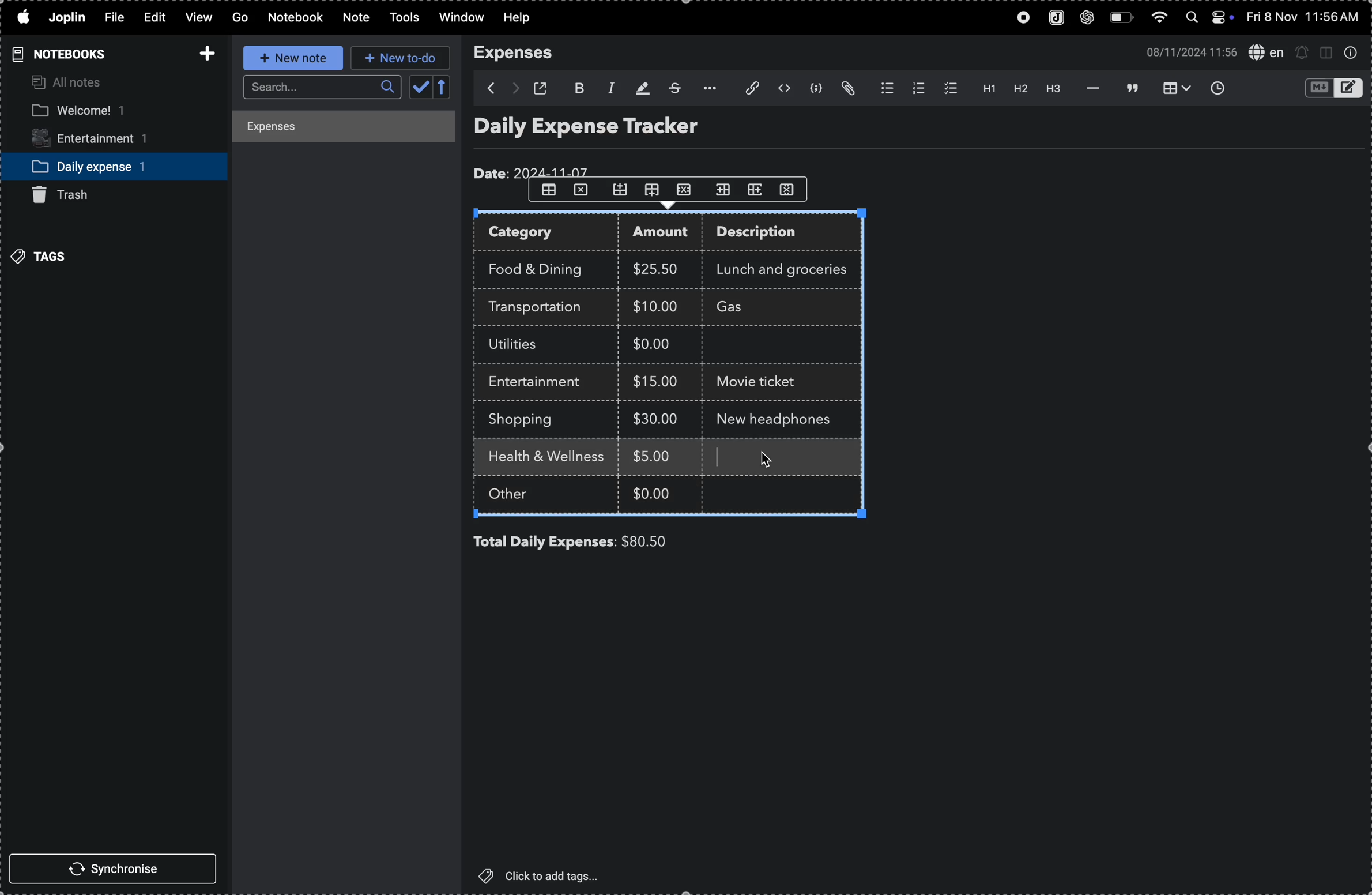 Image resolution: width=1372 pixels, height=895 pixels. I want to click on health and wellness, so click(552, 458).